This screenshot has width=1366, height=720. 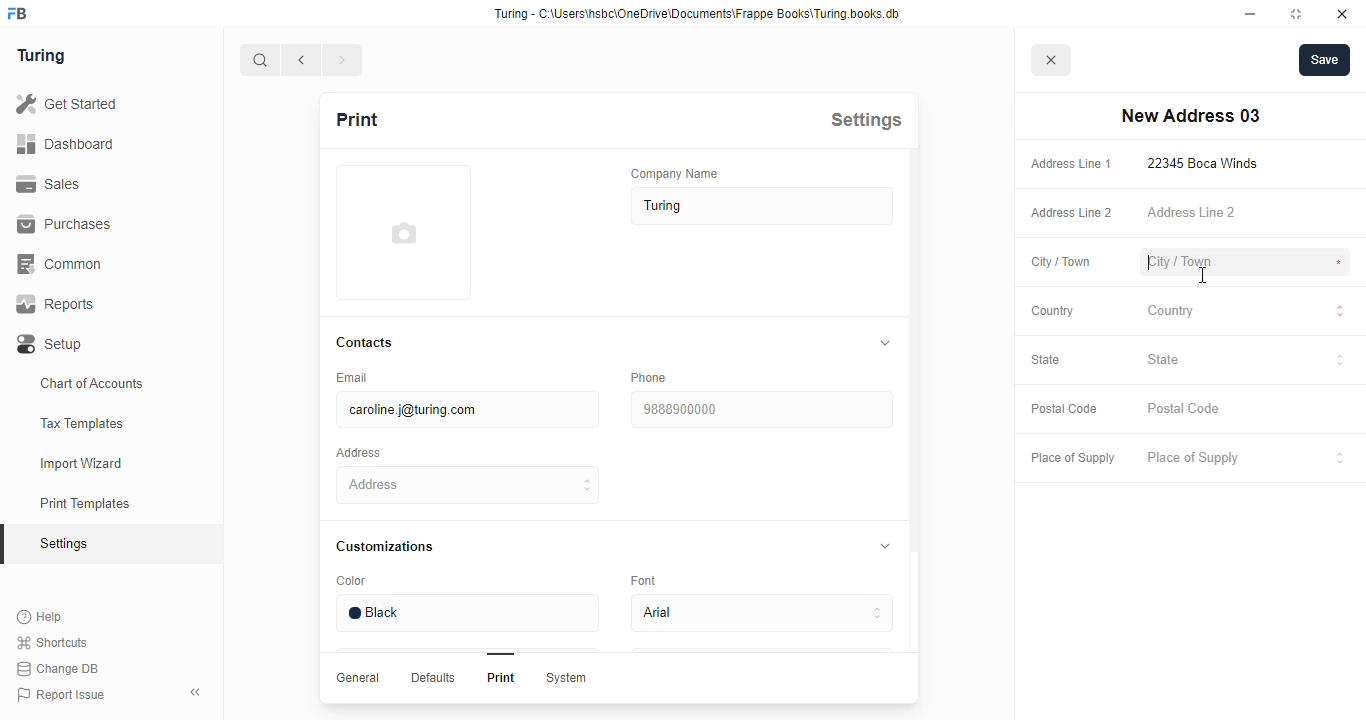 I want to click on arial, so click(x=761, y=614).